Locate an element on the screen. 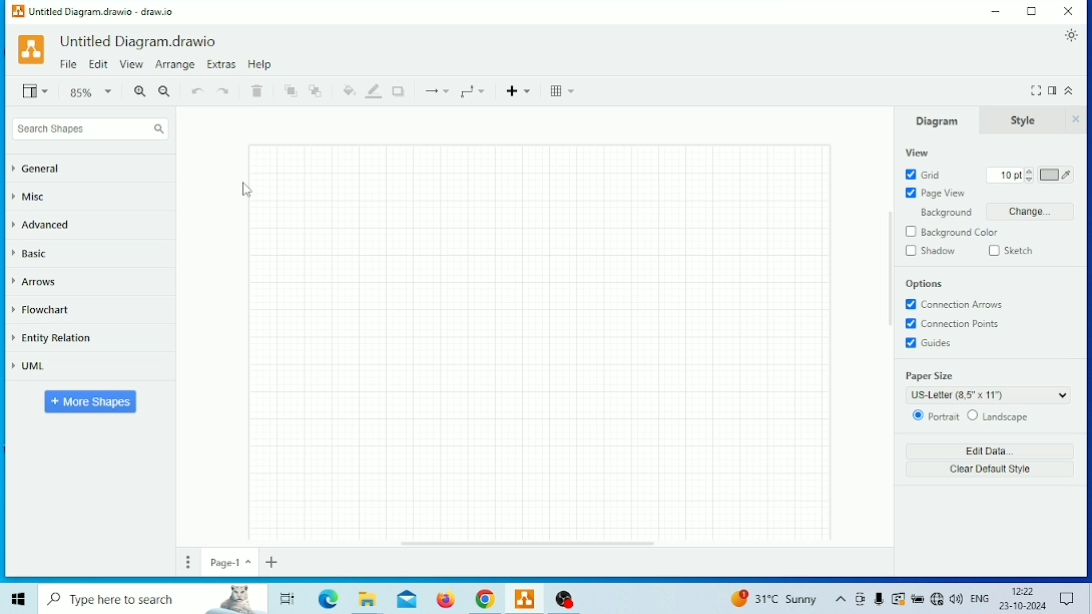 This screenshot has height=614, width=1092. Canvas Zoomed Out is located at coordinates (541, 341).